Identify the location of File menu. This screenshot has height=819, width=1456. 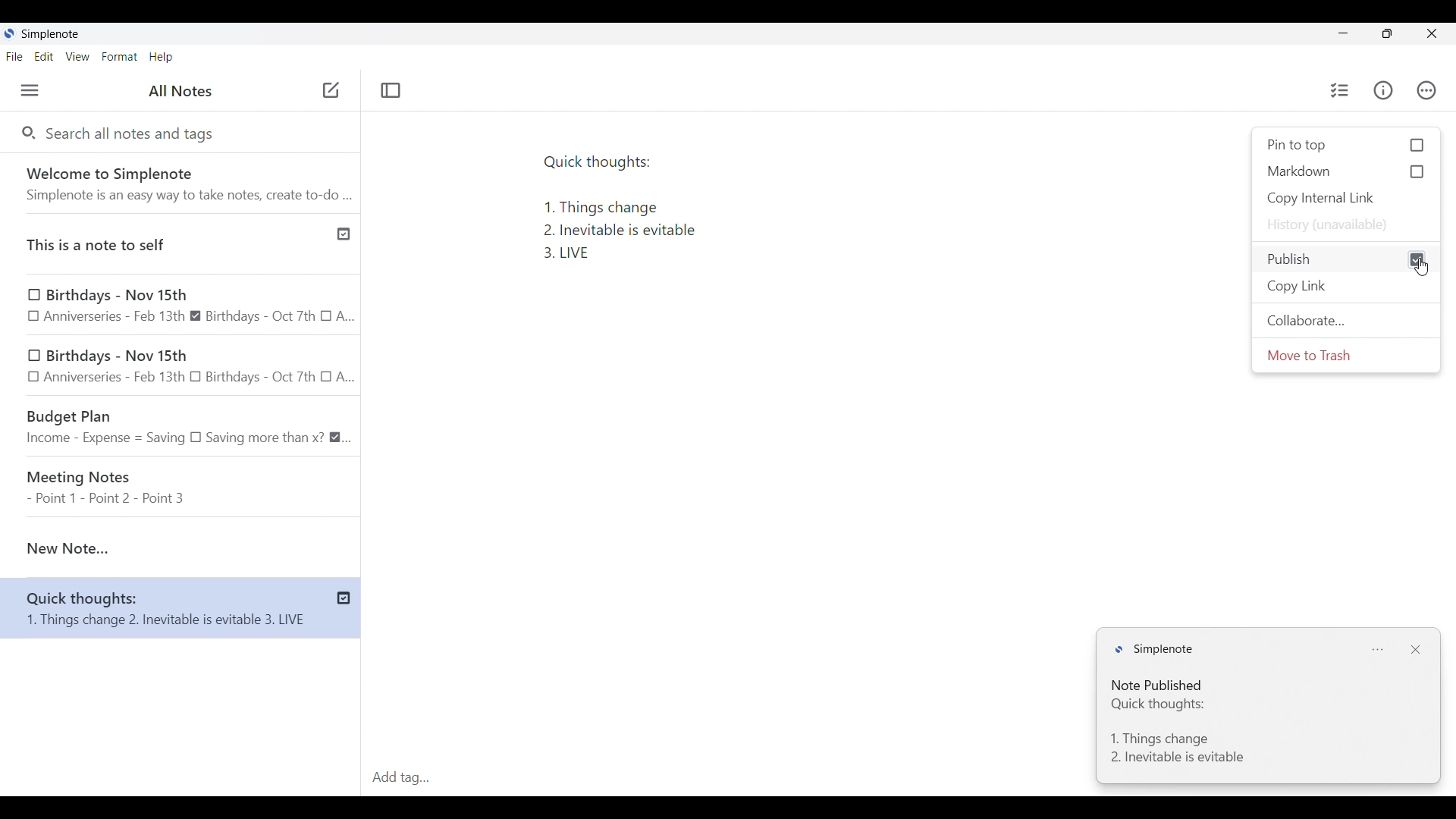
(15, 56).